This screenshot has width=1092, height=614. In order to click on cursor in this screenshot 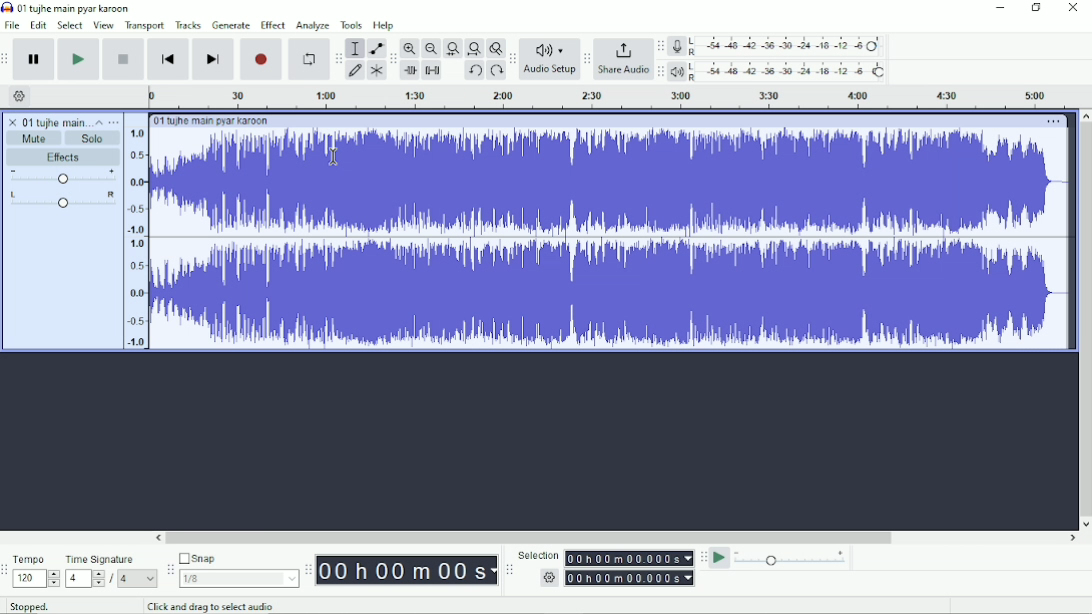, I will do `click(334, 157)`.